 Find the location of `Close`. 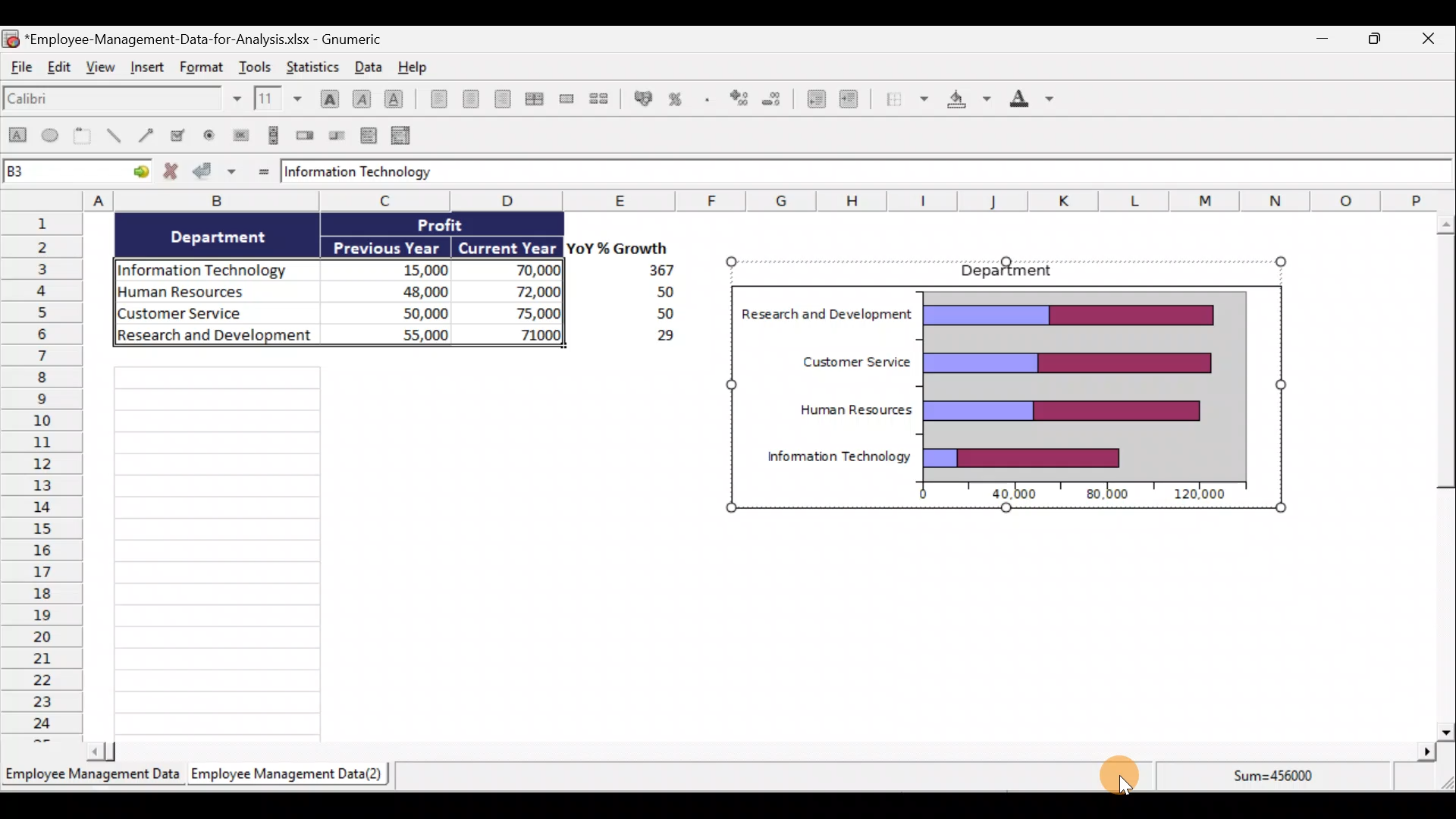

Close is located at coordinates (1438, 38).